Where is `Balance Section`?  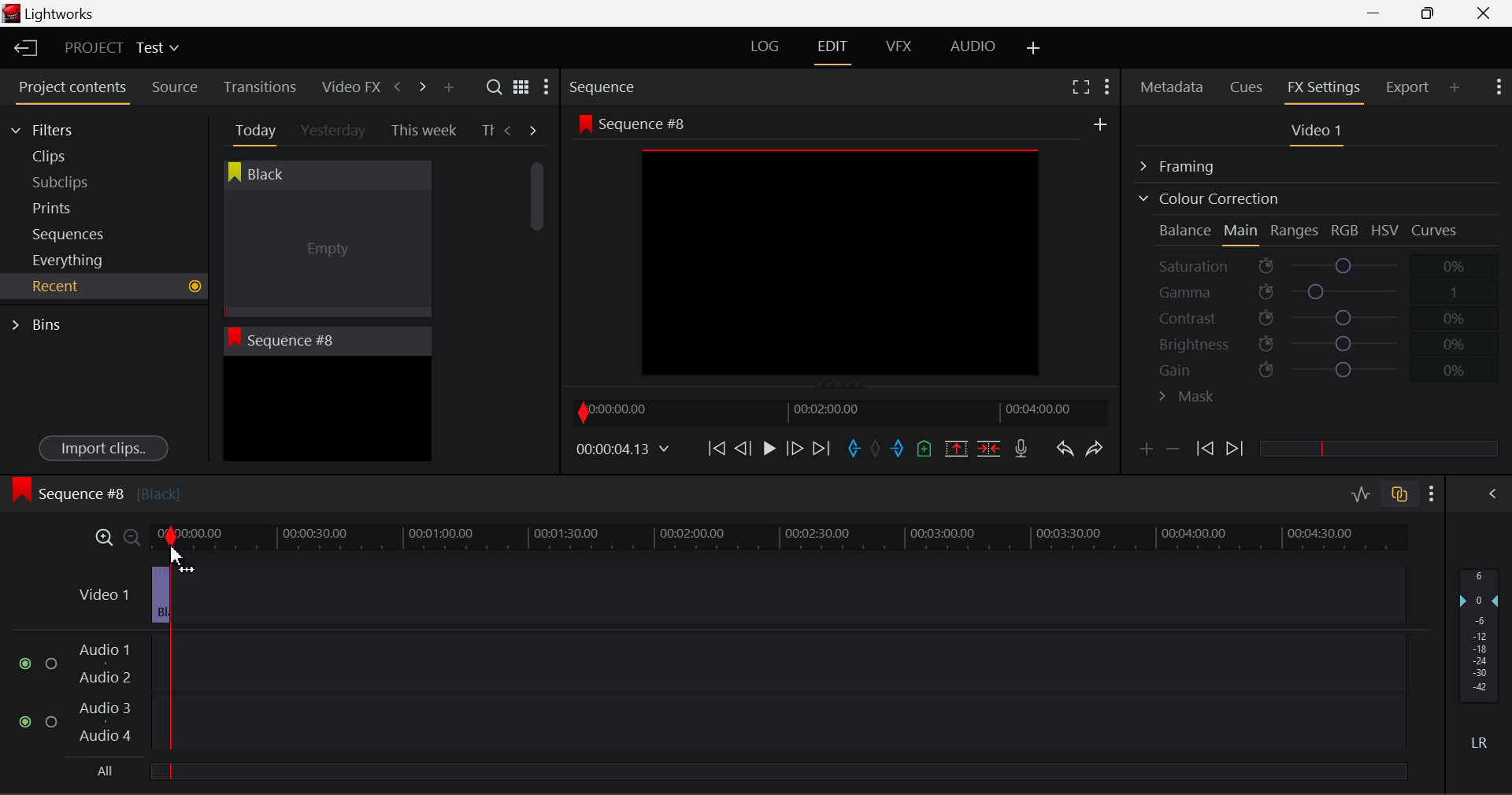 Balance Section is located at coordinates (1187, 230).